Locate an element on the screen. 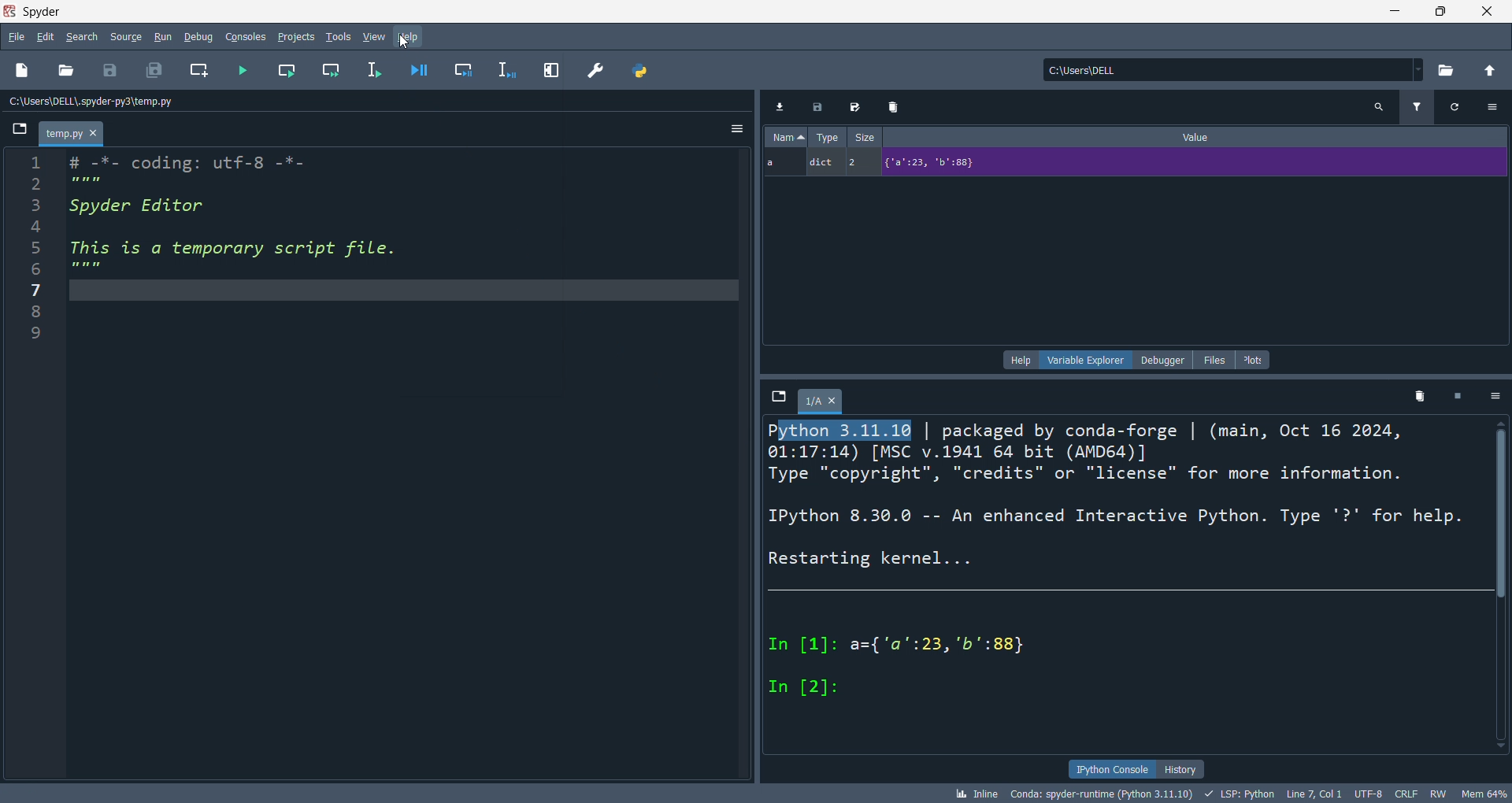  Settings is located at coordinates (1493, 106).